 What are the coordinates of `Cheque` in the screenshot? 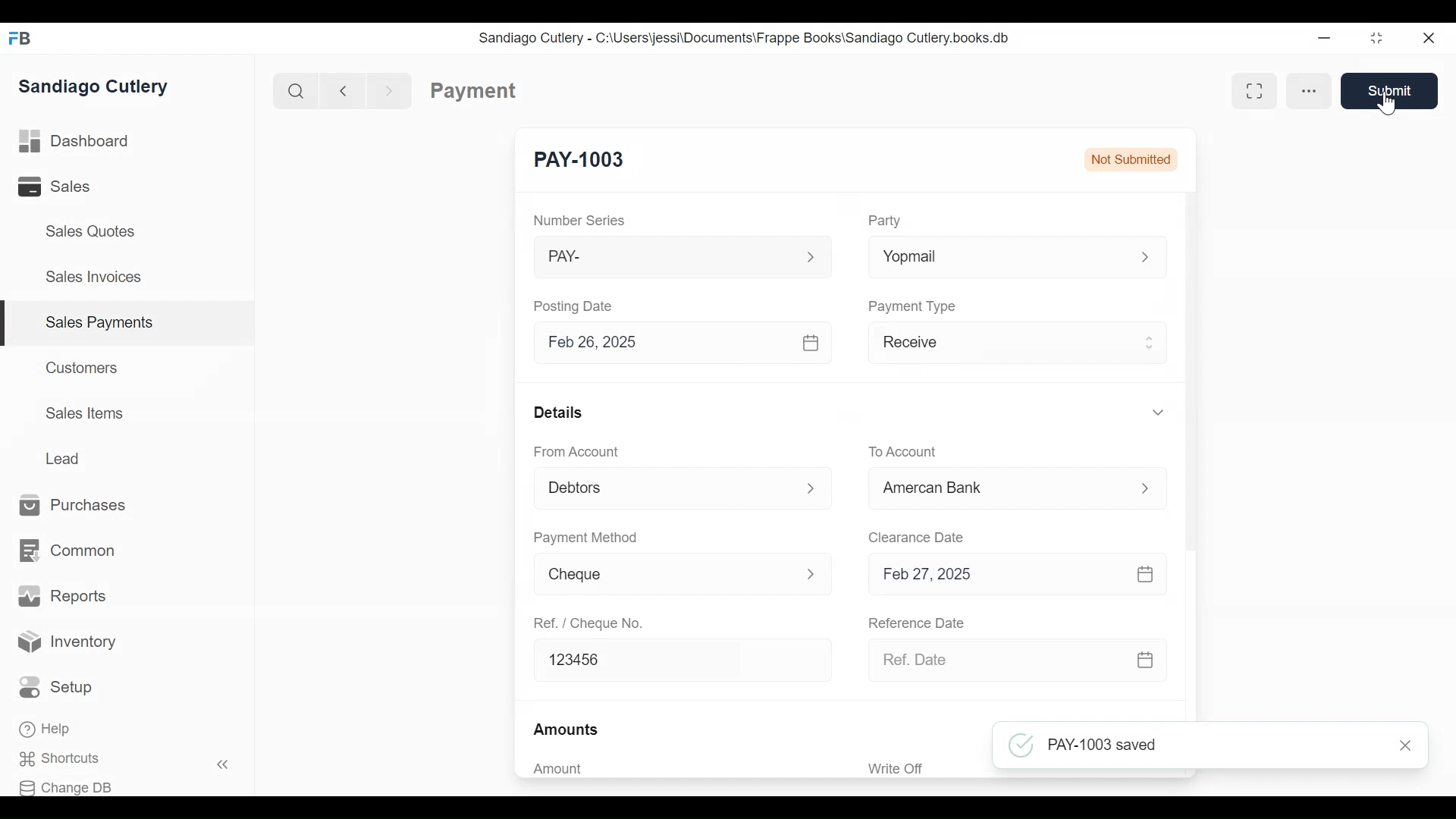 It's located at (664, 574).